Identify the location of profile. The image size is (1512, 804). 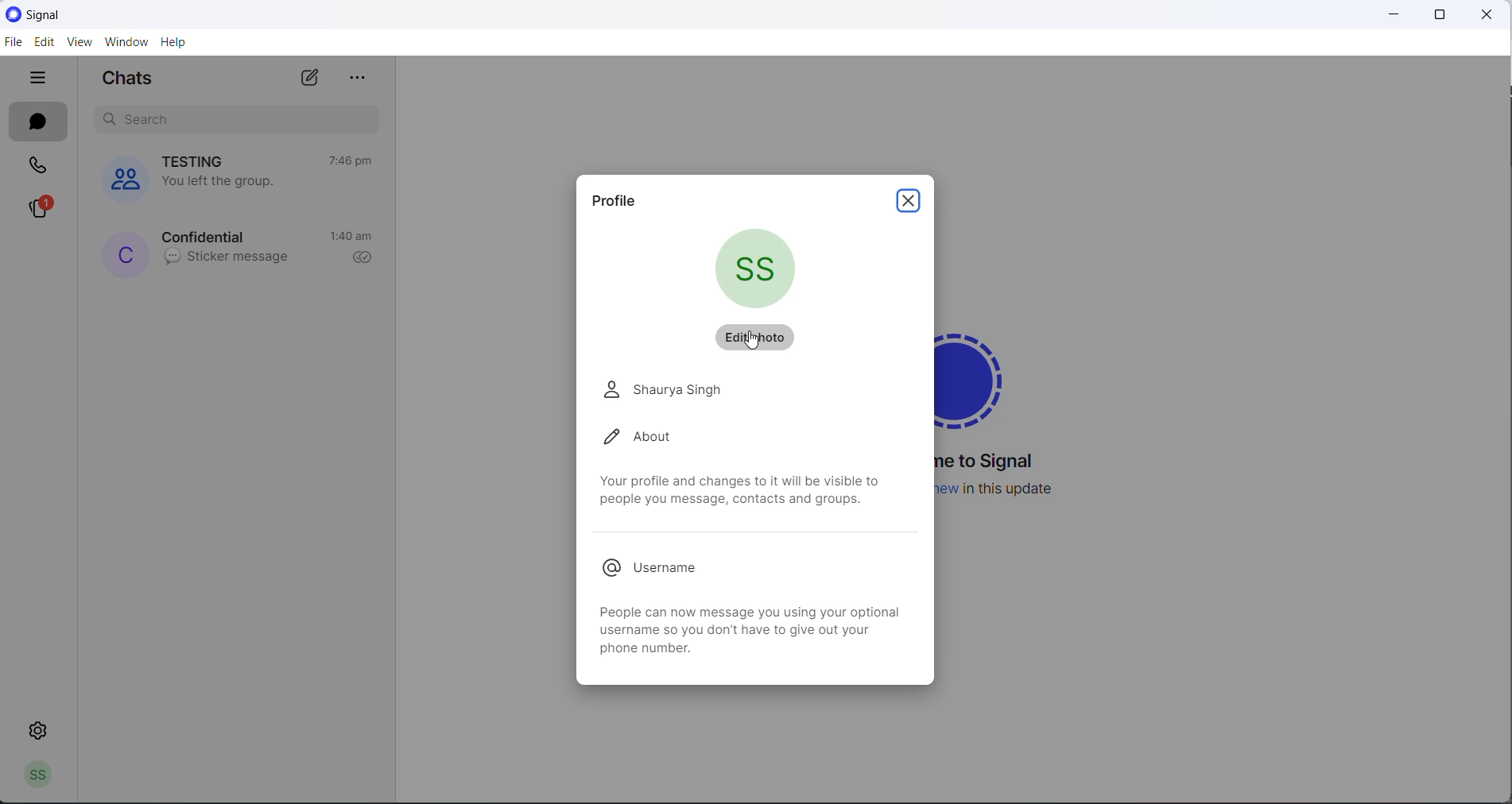
(33, 778).